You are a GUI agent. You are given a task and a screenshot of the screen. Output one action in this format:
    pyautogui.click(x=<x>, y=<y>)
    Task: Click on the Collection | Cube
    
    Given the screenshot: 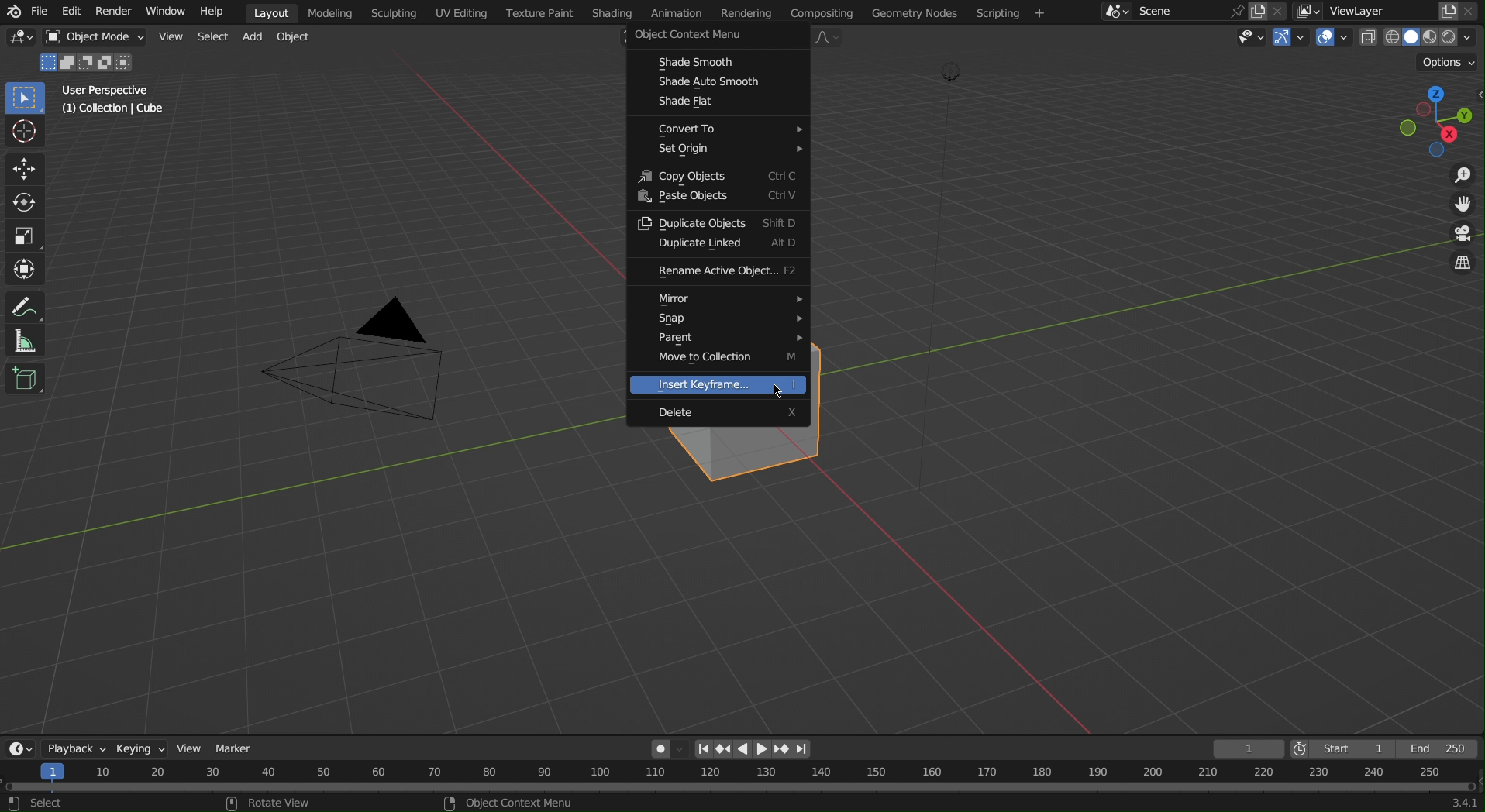 What is the action you would take?
    pyautogui.click(x=109, y=112)
    